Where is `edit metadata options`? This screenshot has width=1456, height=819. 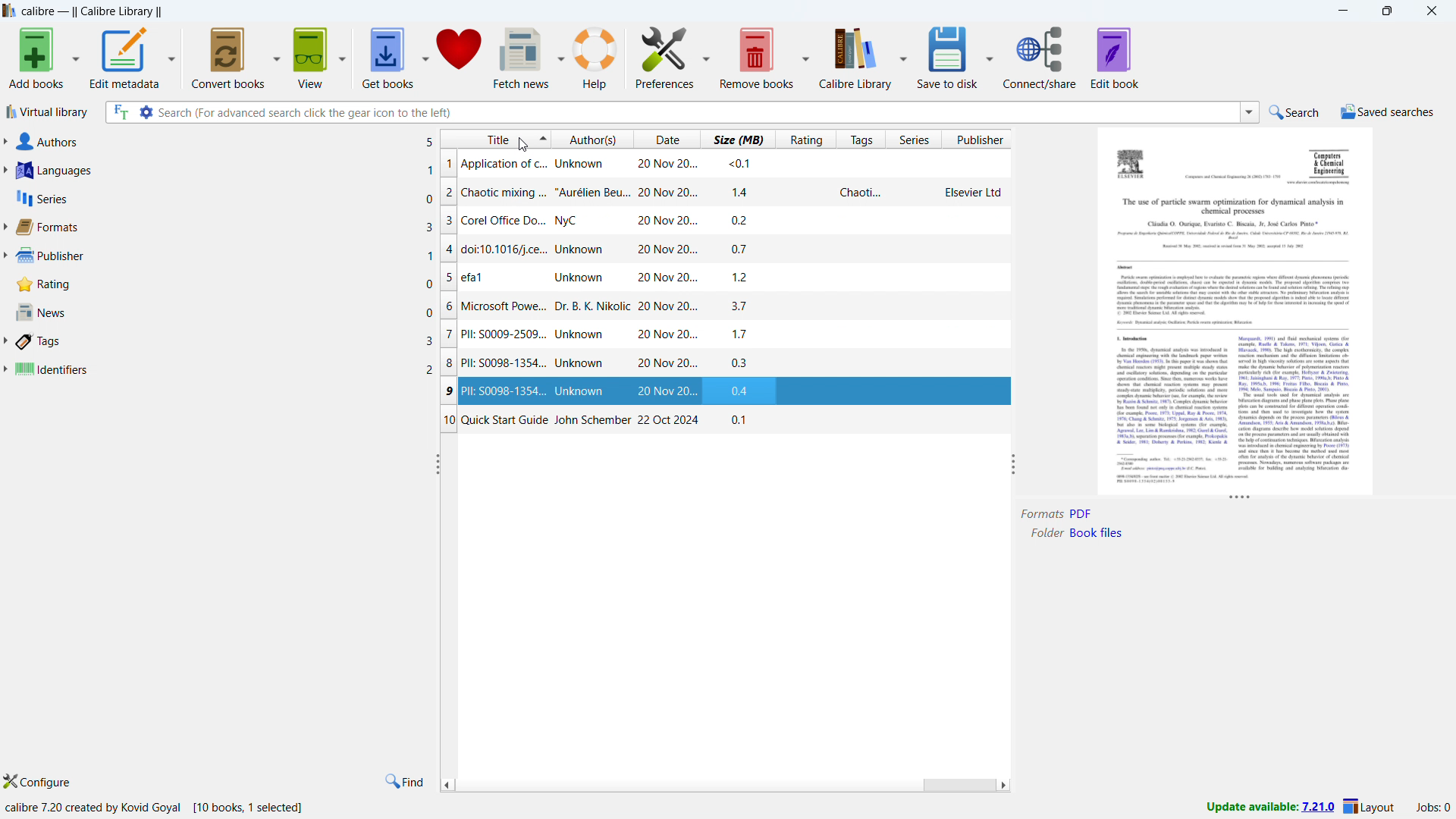 edit metadata options is located at coordinates (168, 58).